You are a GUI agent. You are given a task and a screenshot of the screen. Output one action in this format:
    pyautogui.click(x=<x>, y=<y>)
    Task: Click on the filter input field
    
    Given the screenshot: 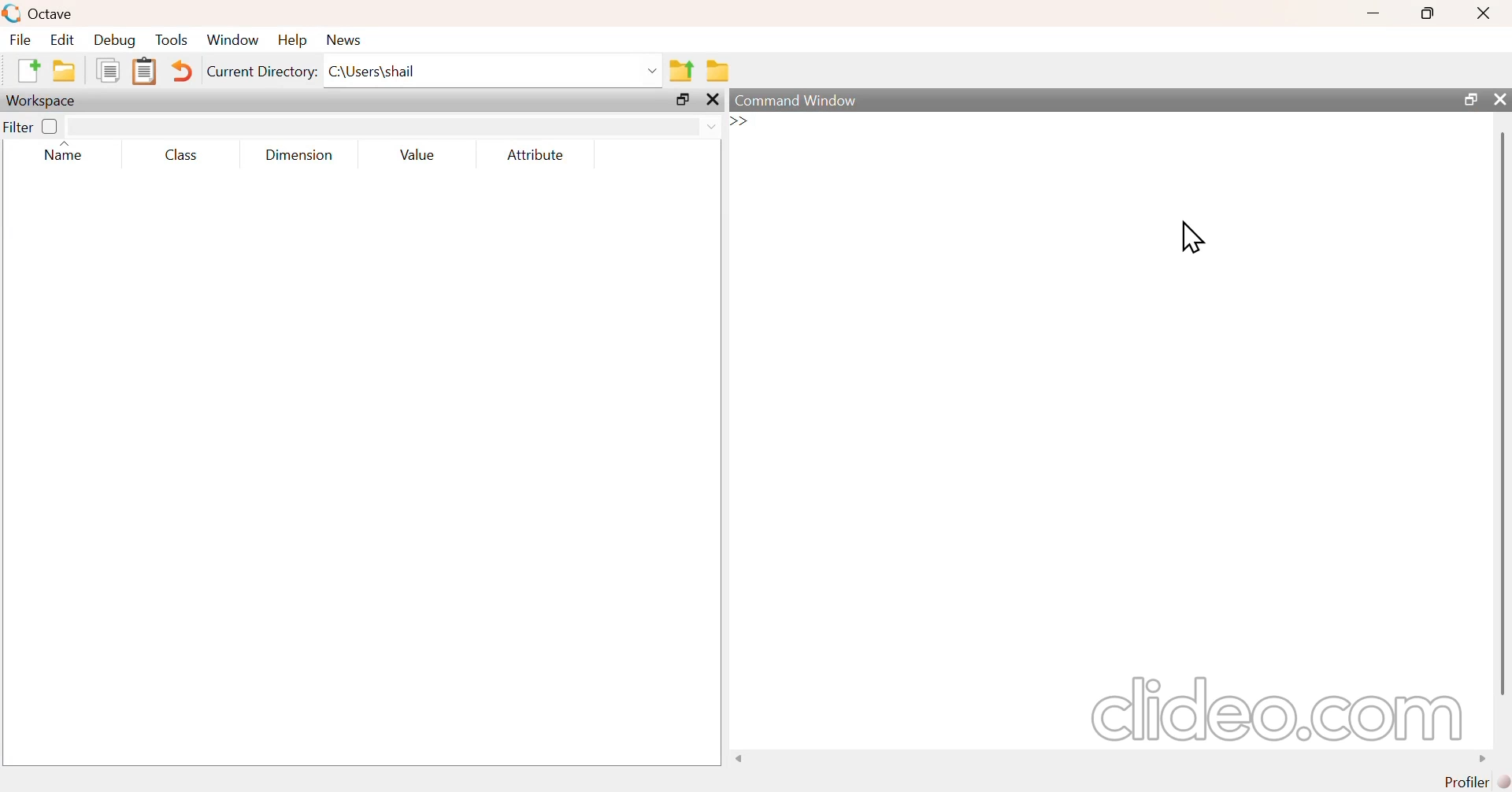 What is the action you would take?
    pyautogui.click(x=395, y=125)
    